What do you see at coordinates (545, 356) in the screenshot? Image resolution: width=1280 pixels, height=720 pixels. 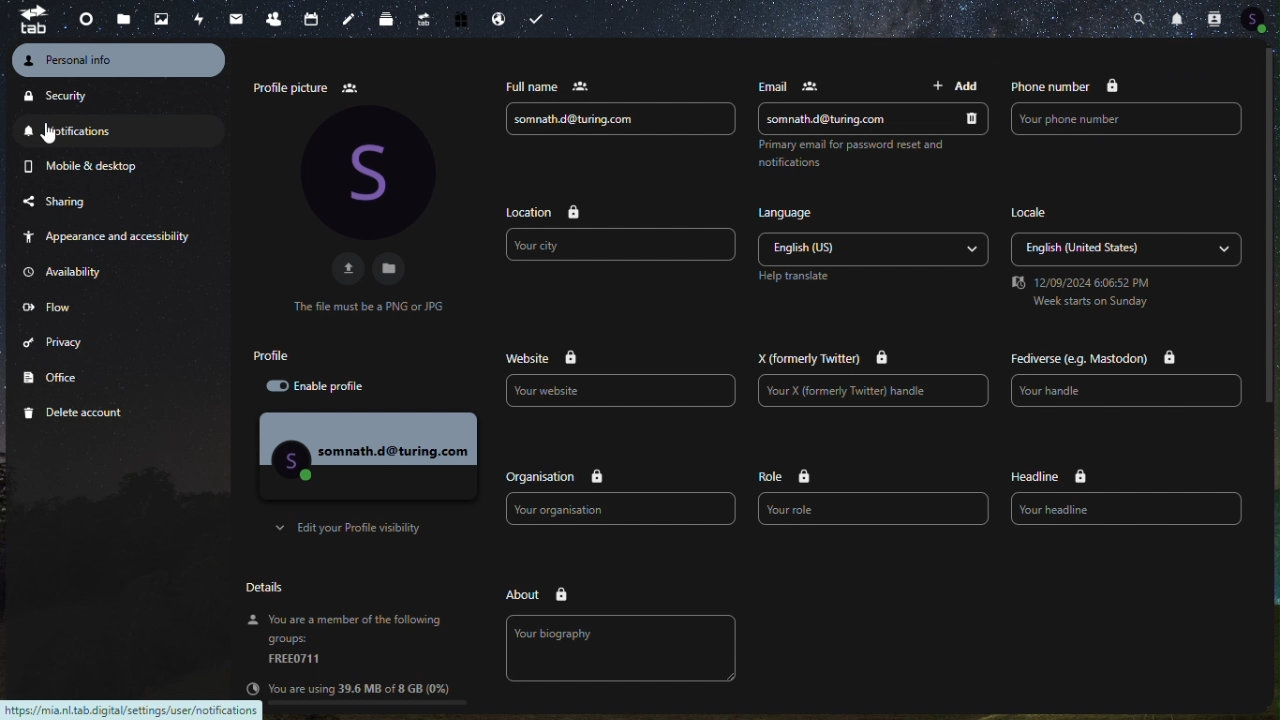 I see `website` at bounding box center [545, 356].